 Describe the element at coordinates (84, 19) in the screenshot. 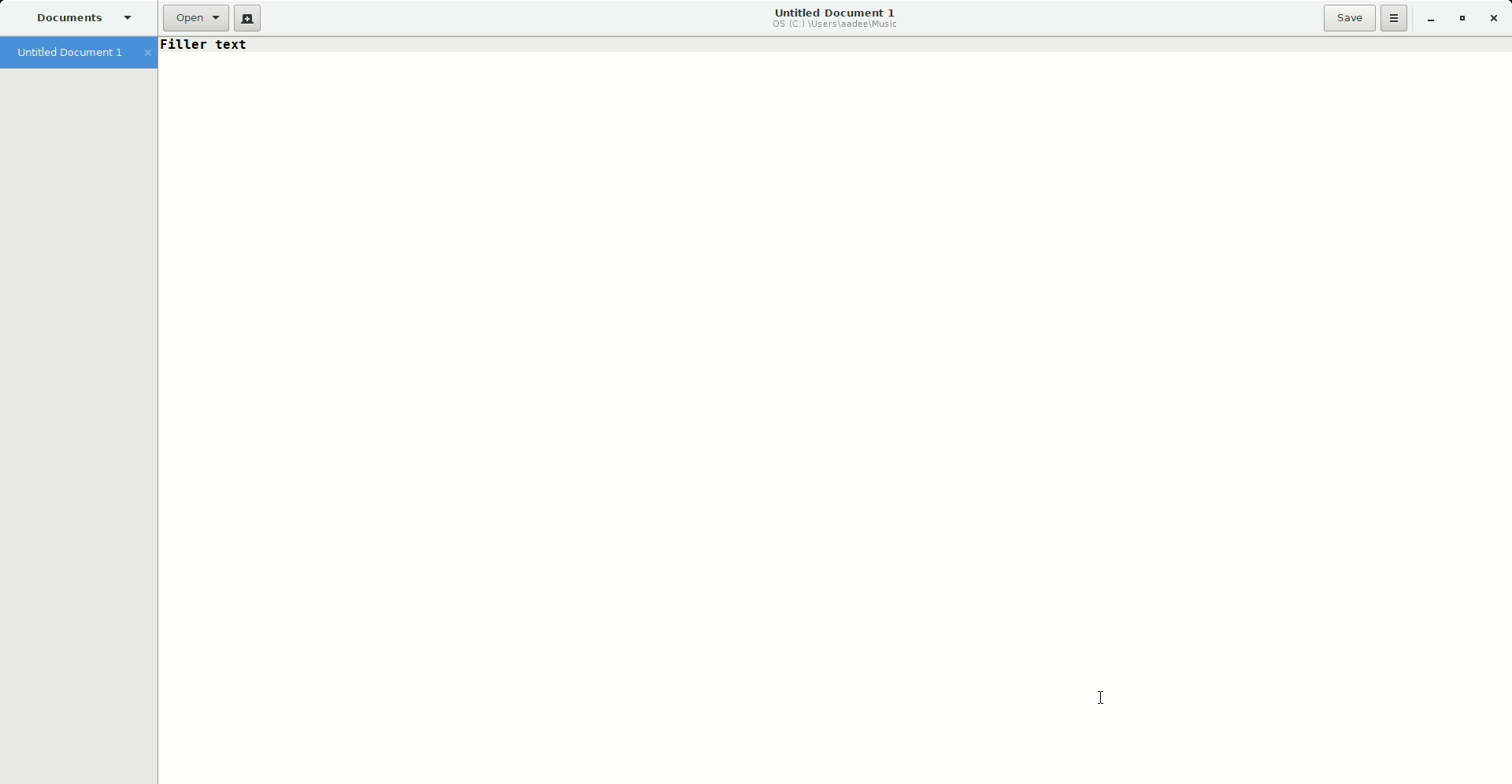

I see `Documents` at that location.